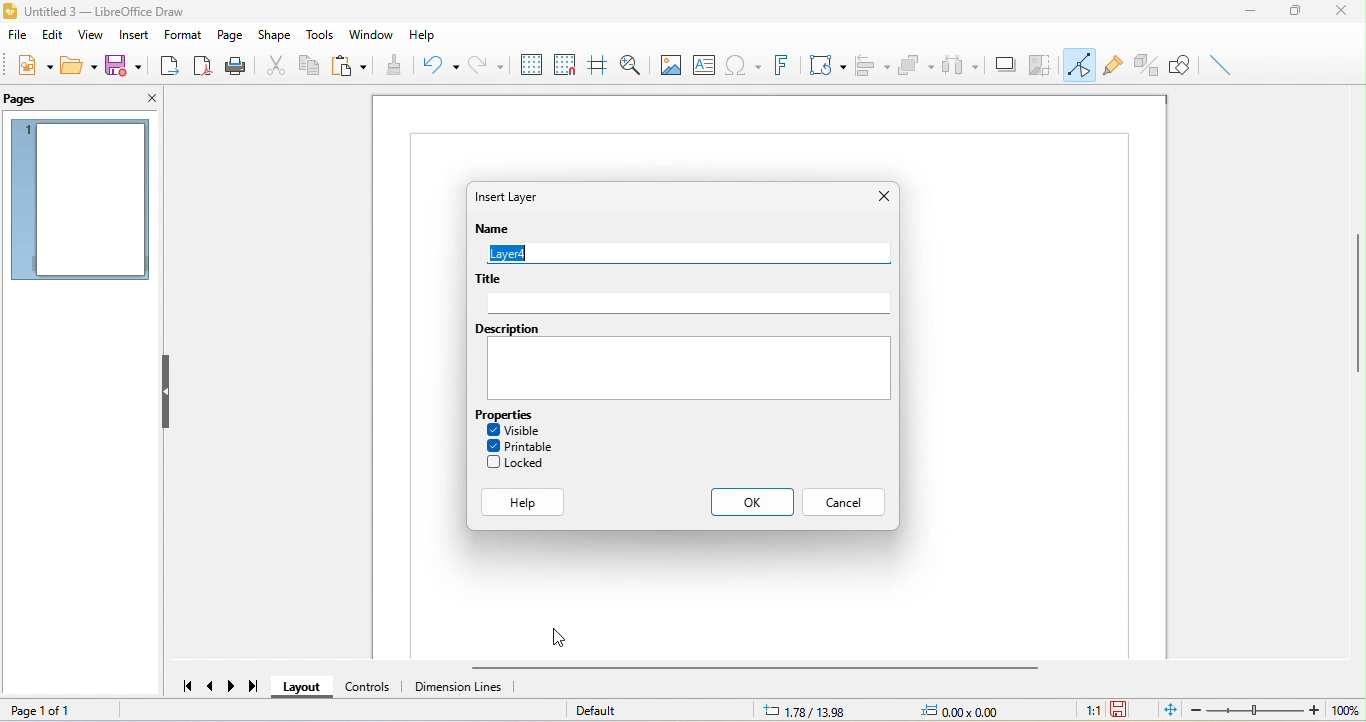 Image resolution: width=1366 pixels, height=722 pixels. What do you see at coordinates (80, 67) in the screenshot?
I see `open` at bounding box center [80, 67].